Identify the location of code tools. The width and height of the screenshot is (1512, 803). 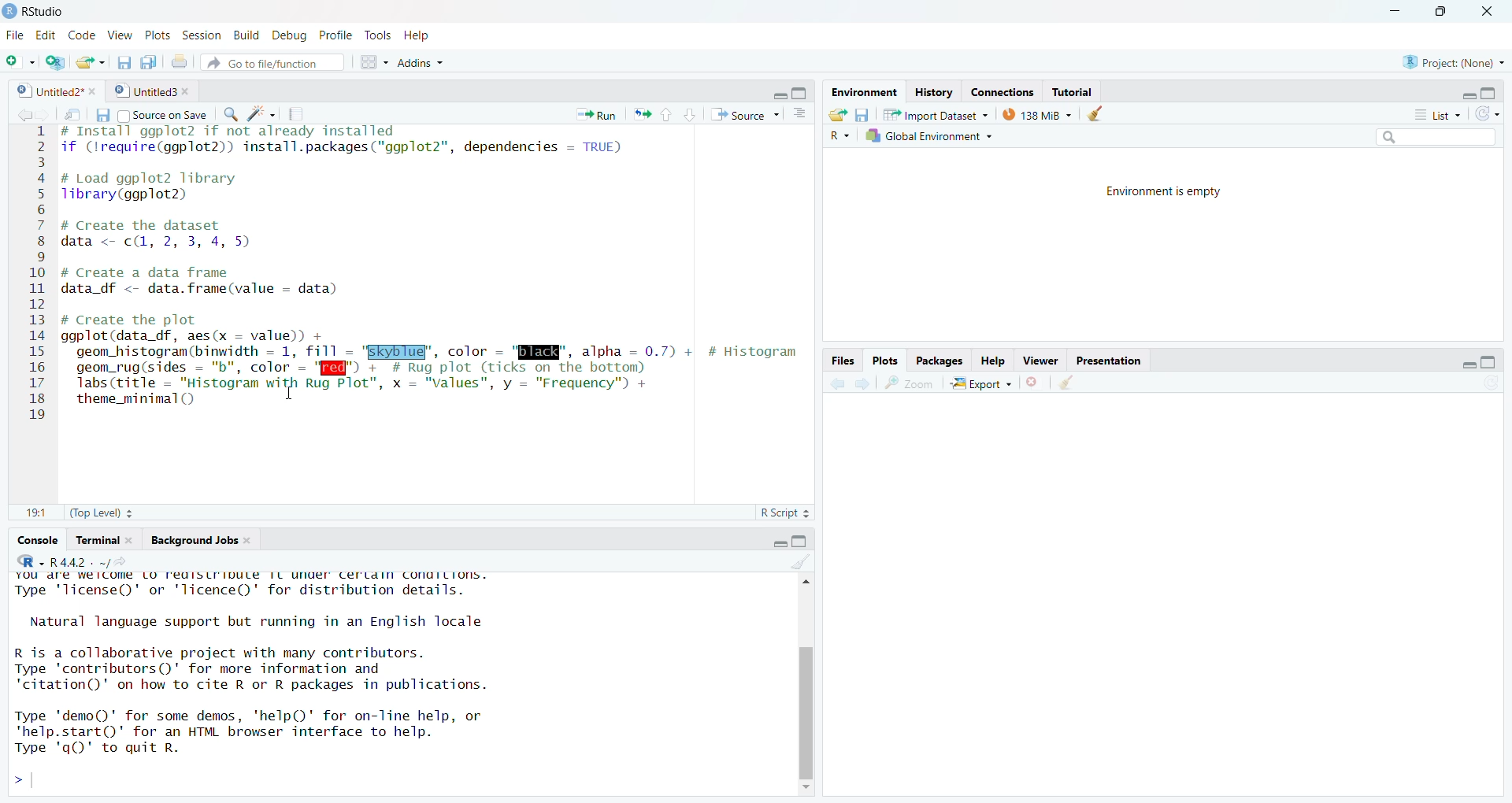
(259, 108).